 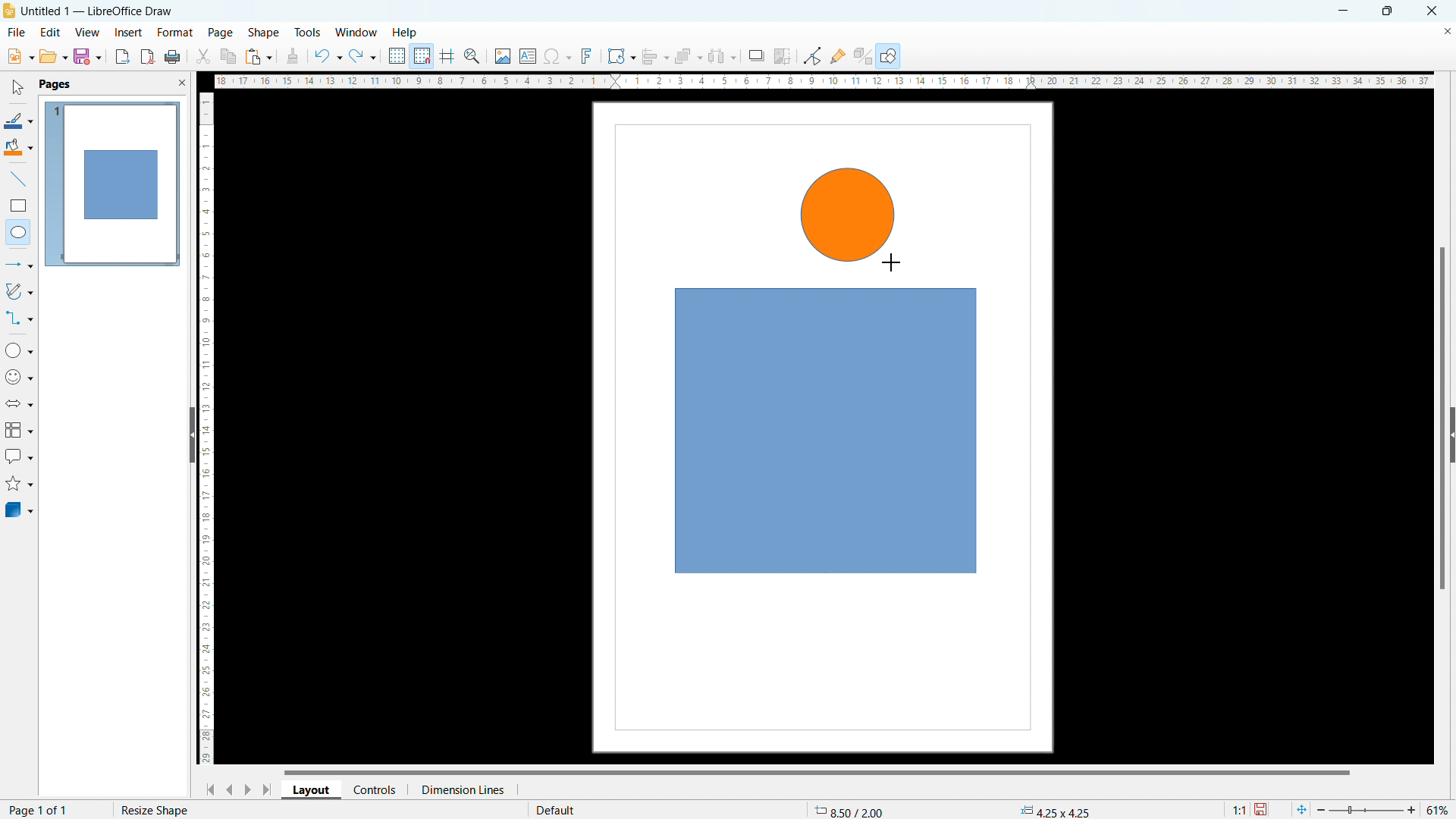 I want to click on select at least three objects to distributw, so click(x=721, y=57).